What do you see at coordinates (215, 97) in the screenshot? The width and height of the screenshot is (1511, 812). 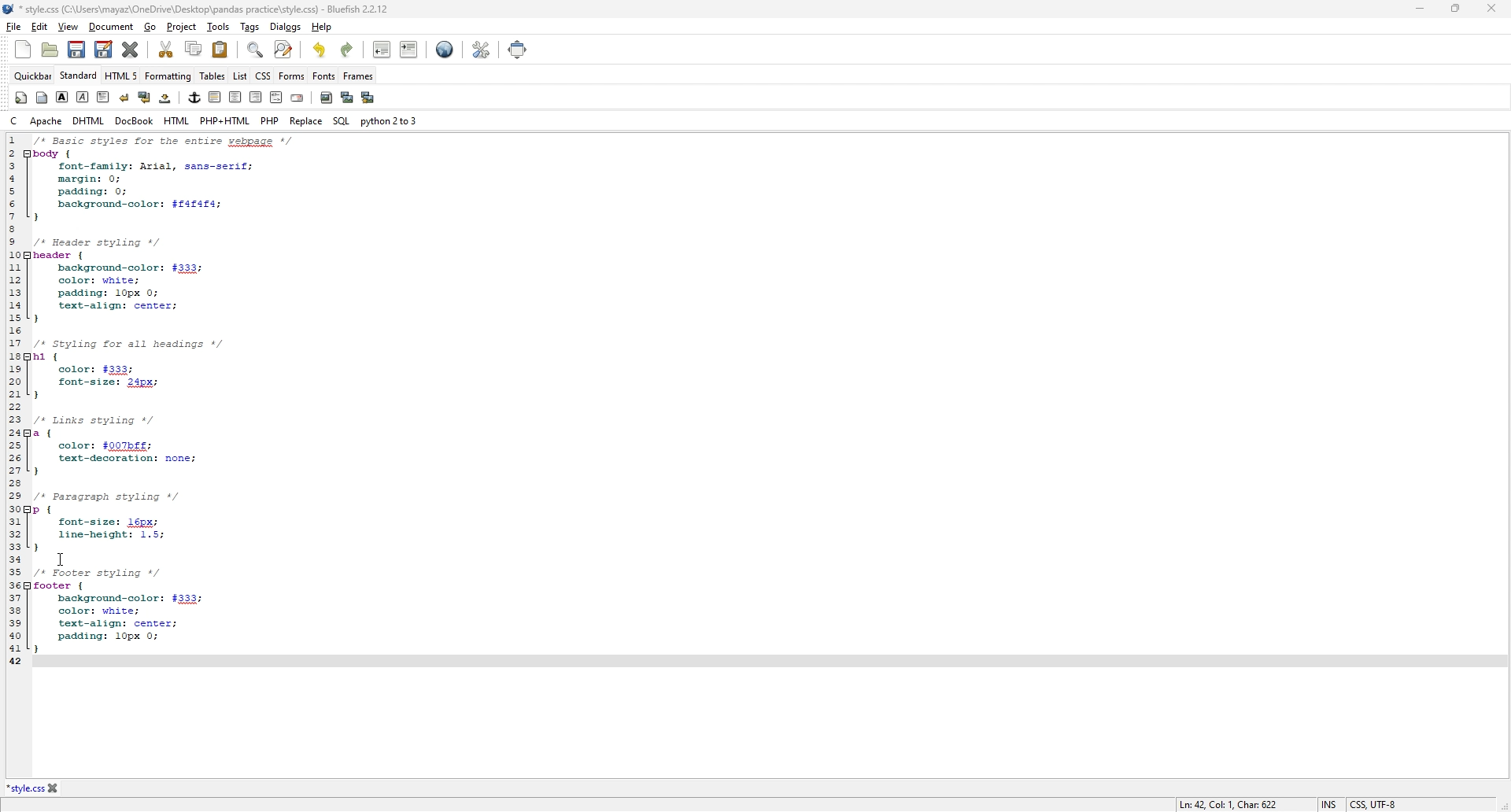 I see `right indent` at bounding box center [215, 97].